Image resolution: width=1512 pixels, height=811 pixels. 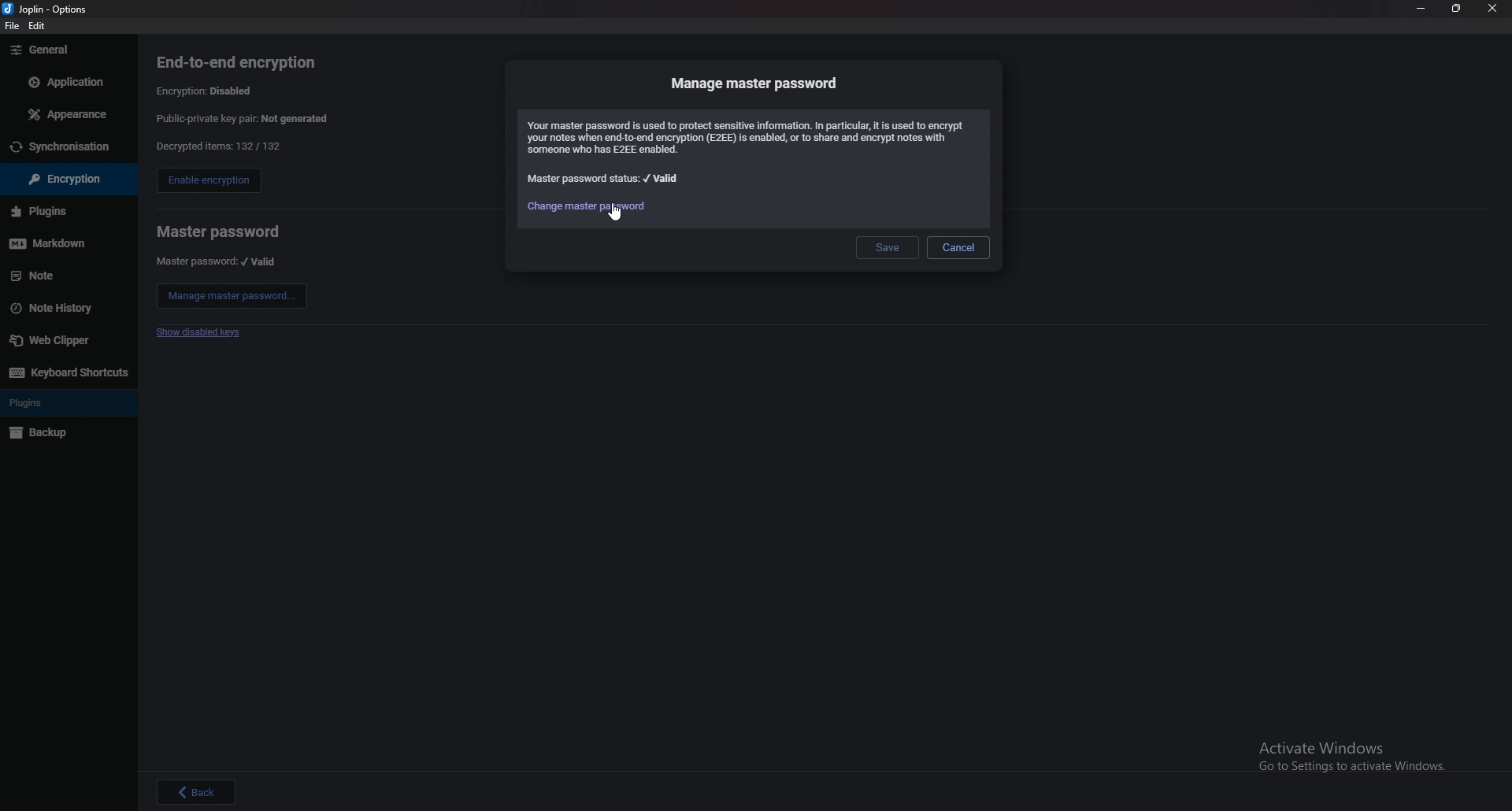 I want to click on markdown, so click(x=63, y=243).